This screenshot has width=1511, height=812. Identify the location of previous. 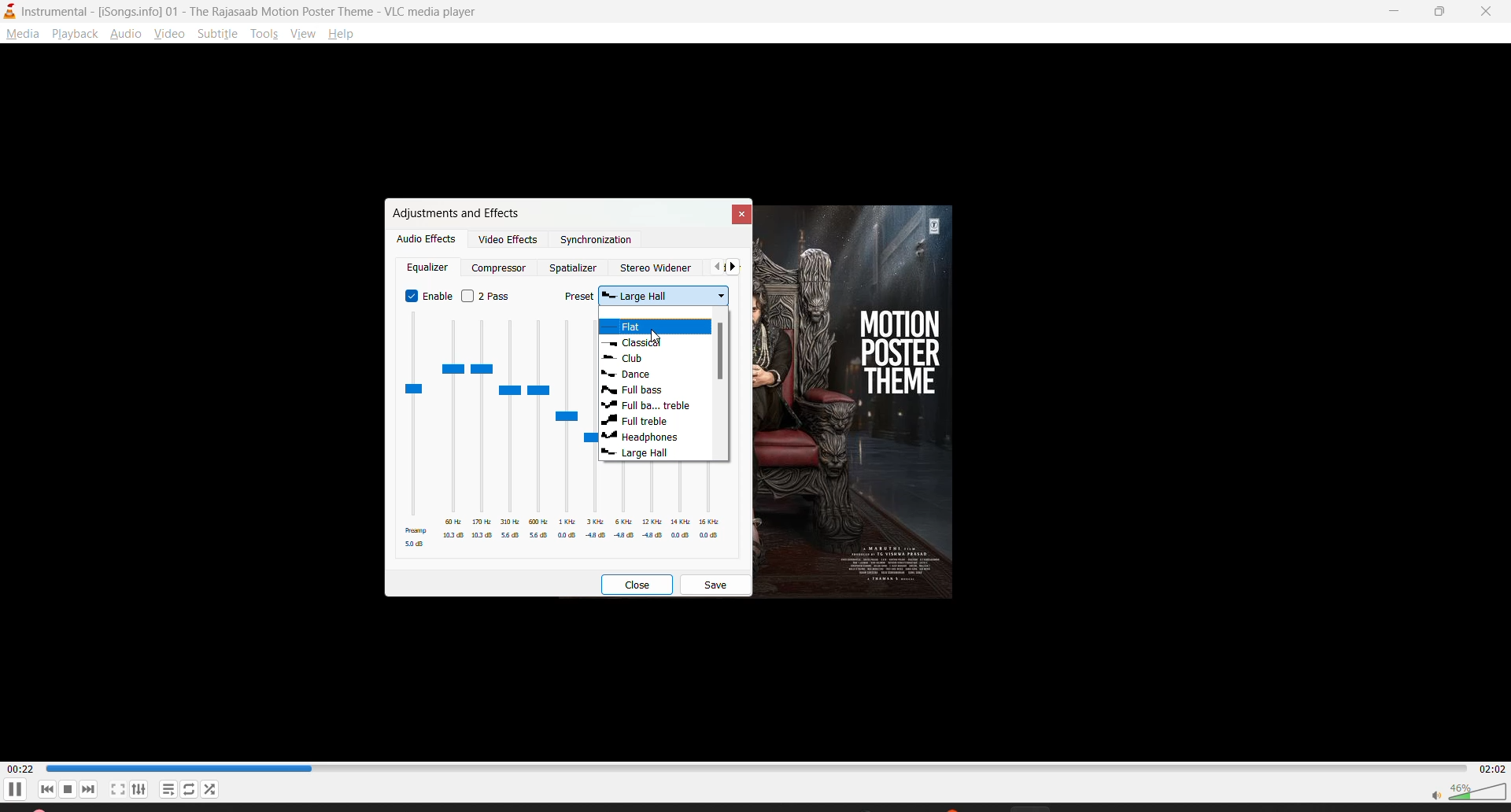
(714, 268).